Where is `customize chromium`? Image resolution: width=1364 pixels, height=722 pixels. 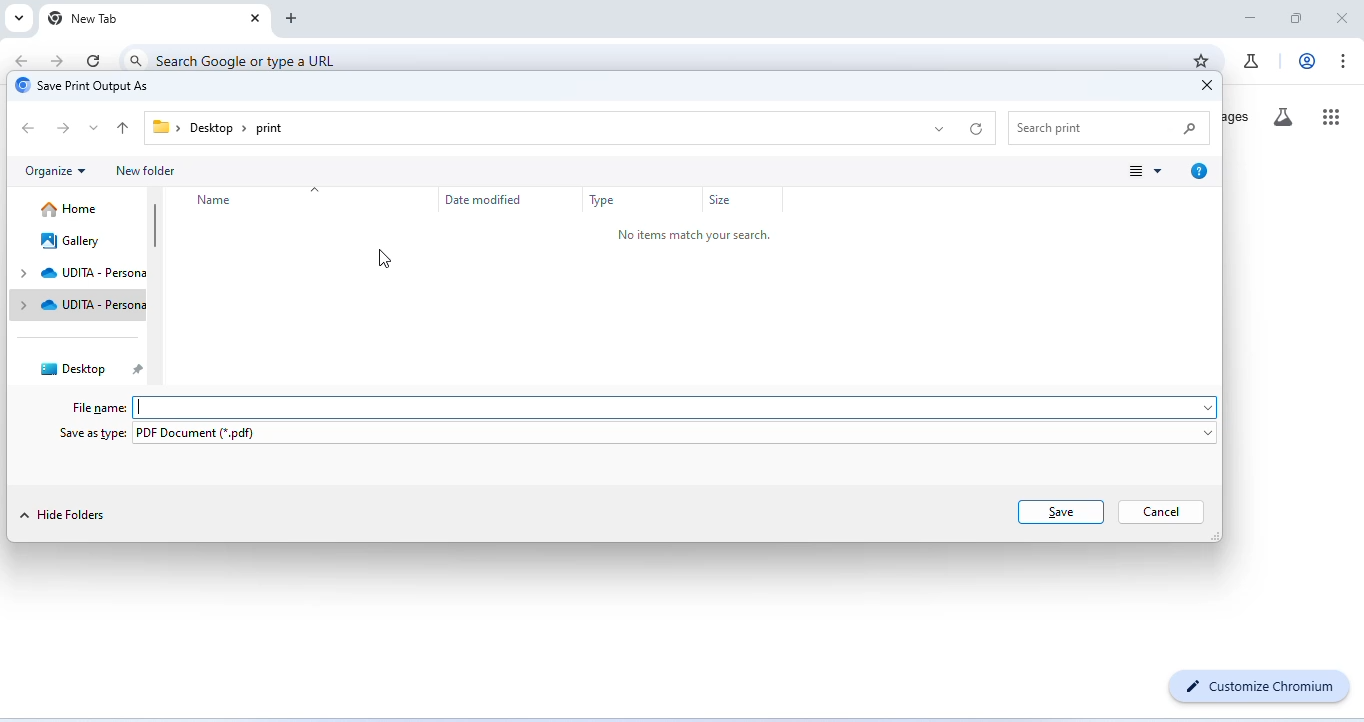
customize chromium is located at coordinates (1261, 686).